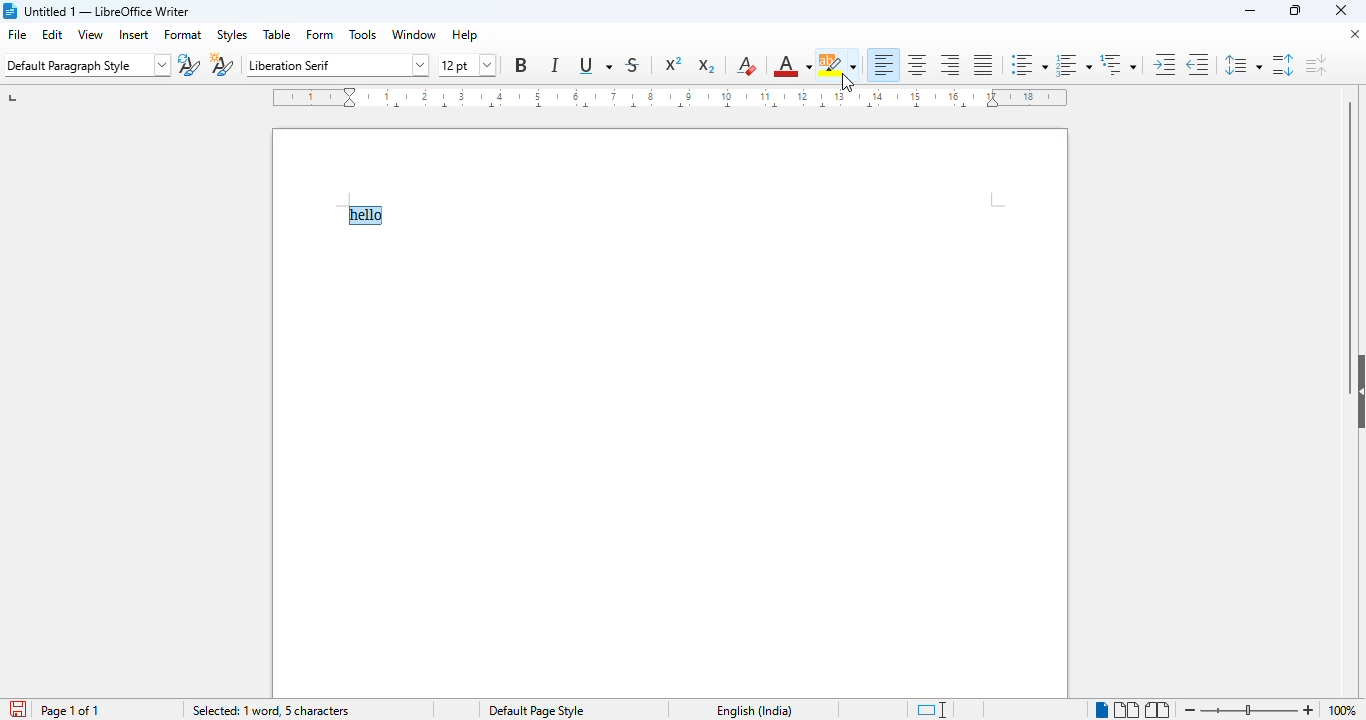  What do you see at coordinates (1029, 64) in the screenshot?
I see `toggle unordered list` at bounding box center [1029, 64].